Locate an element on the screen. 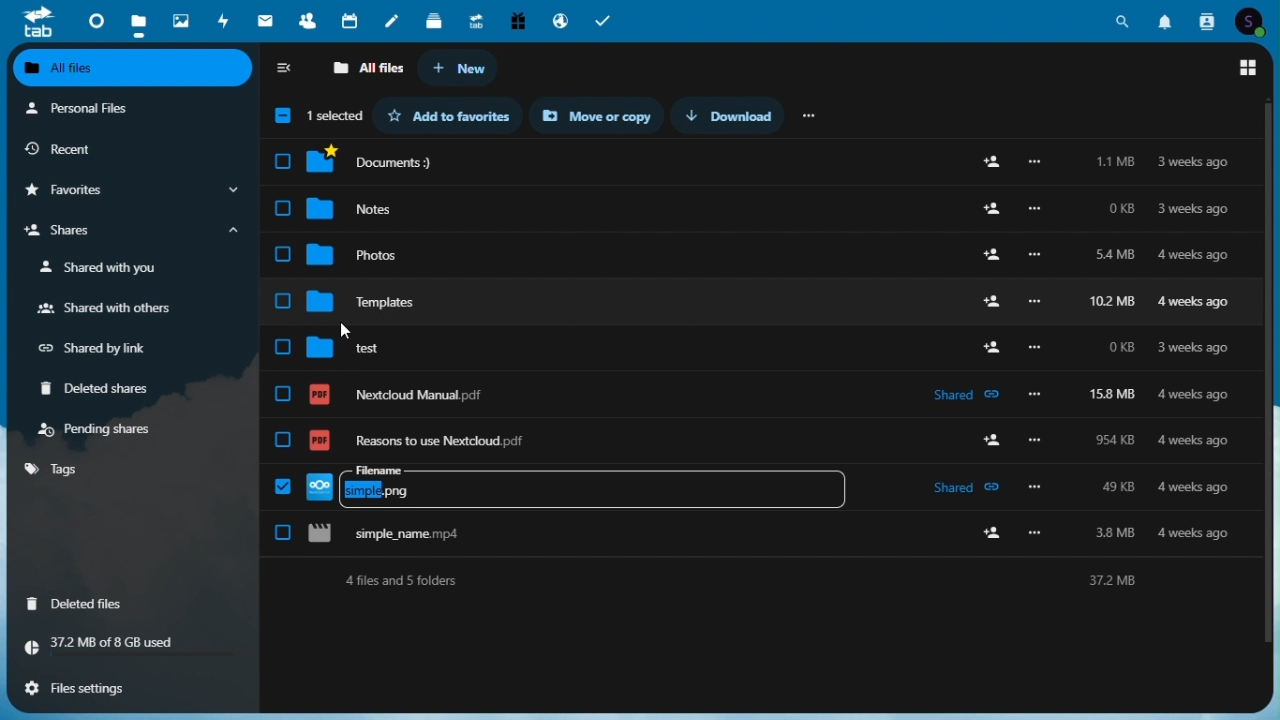 The width and height of the screenshot is (1280, 720). simple_name.mp43.8MB 4 weeks ago is located at coordinates (761, 534).